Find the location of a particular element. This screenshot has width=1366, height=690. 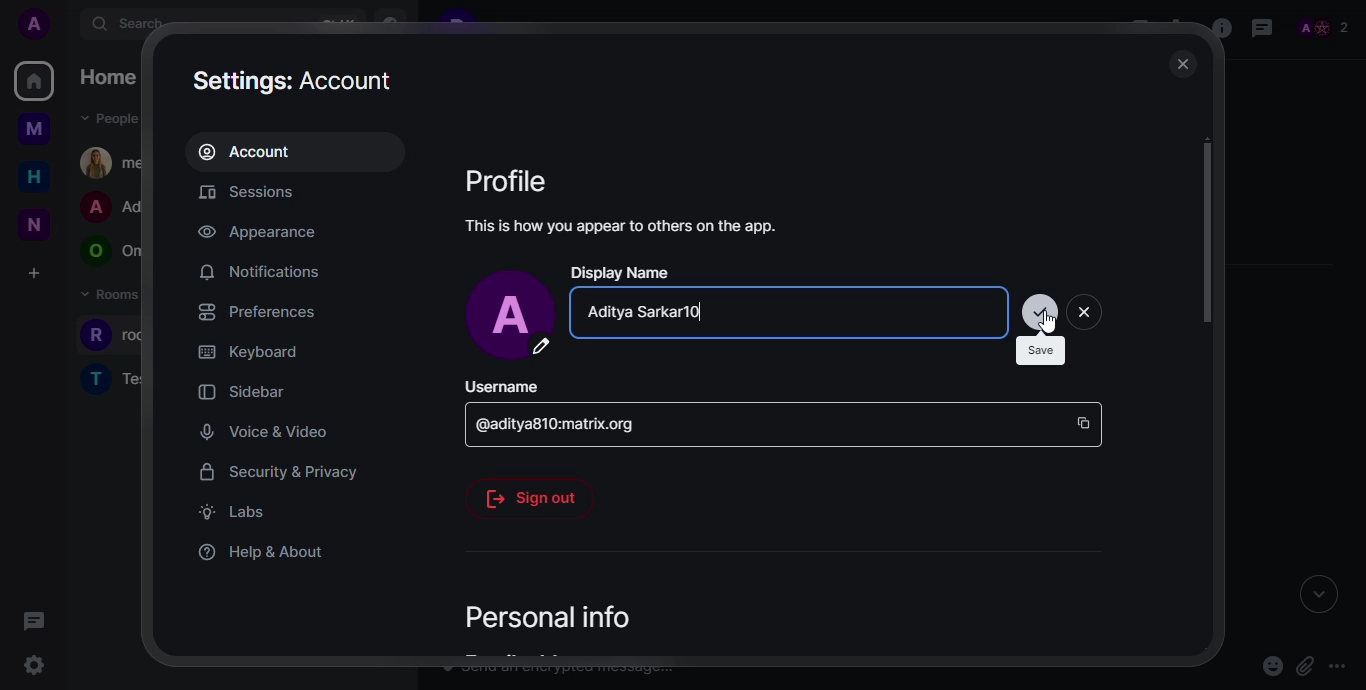

account is located at coordinates (253, 151).